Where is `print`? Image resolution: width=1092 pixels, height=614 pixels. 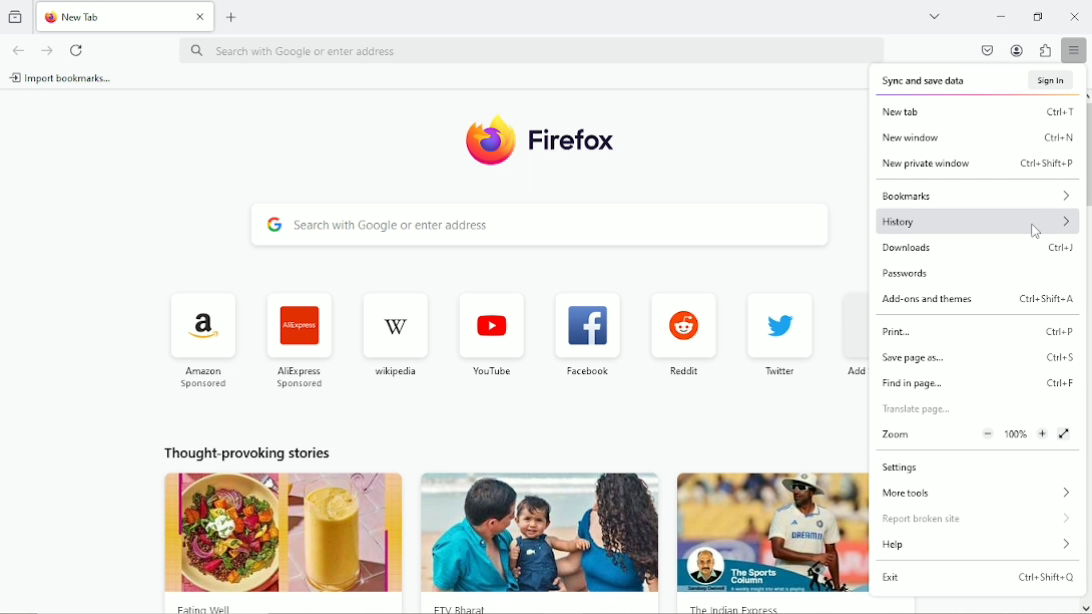
print is located at coordinates (977, 331).